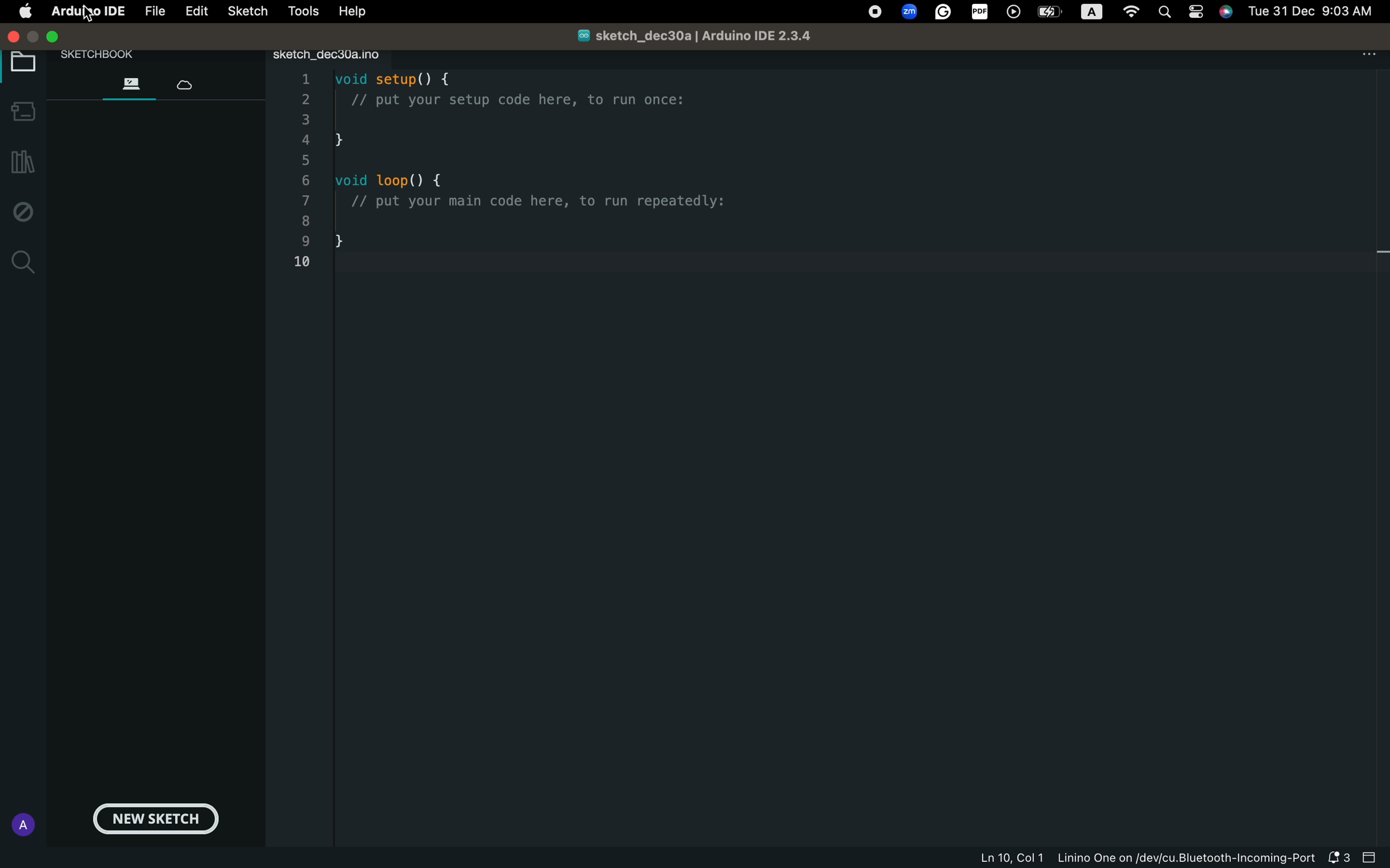 The width and height of the screenshot is (1390, 868). I want to click on cursor, so click(93, 15).